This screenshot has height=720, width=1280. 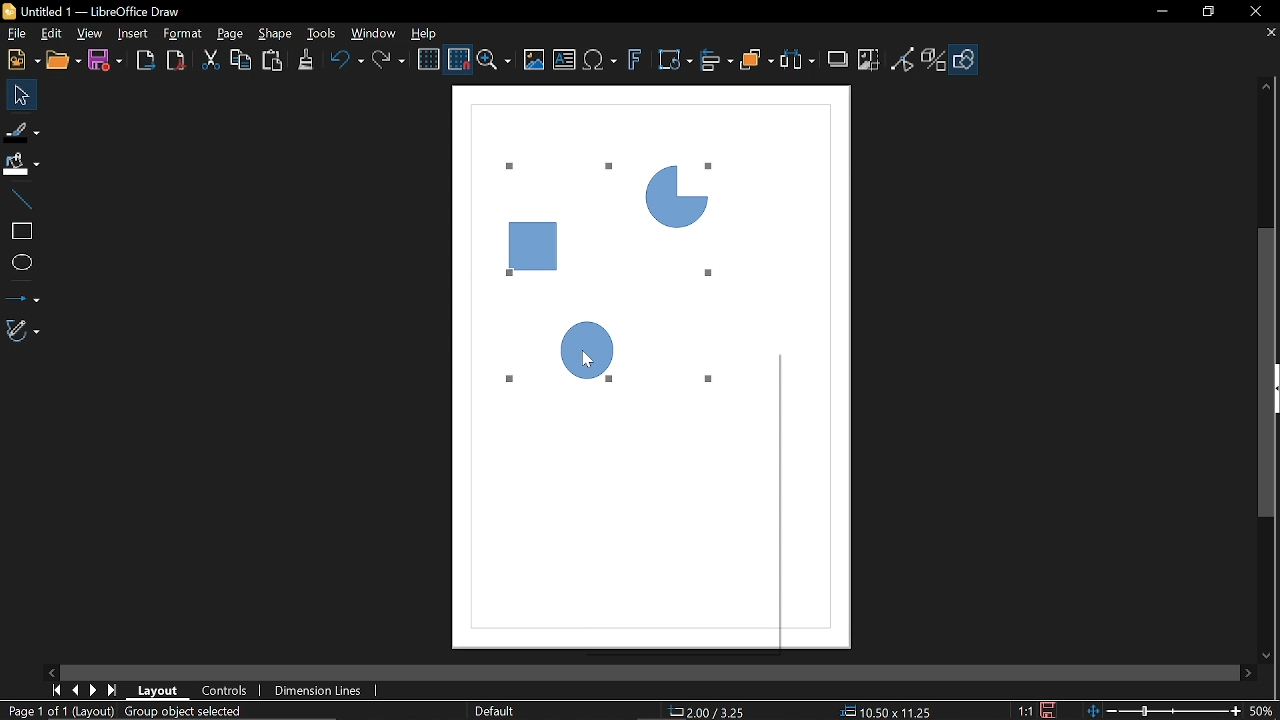 I want to click on Current page, so click(x=58, y=711).